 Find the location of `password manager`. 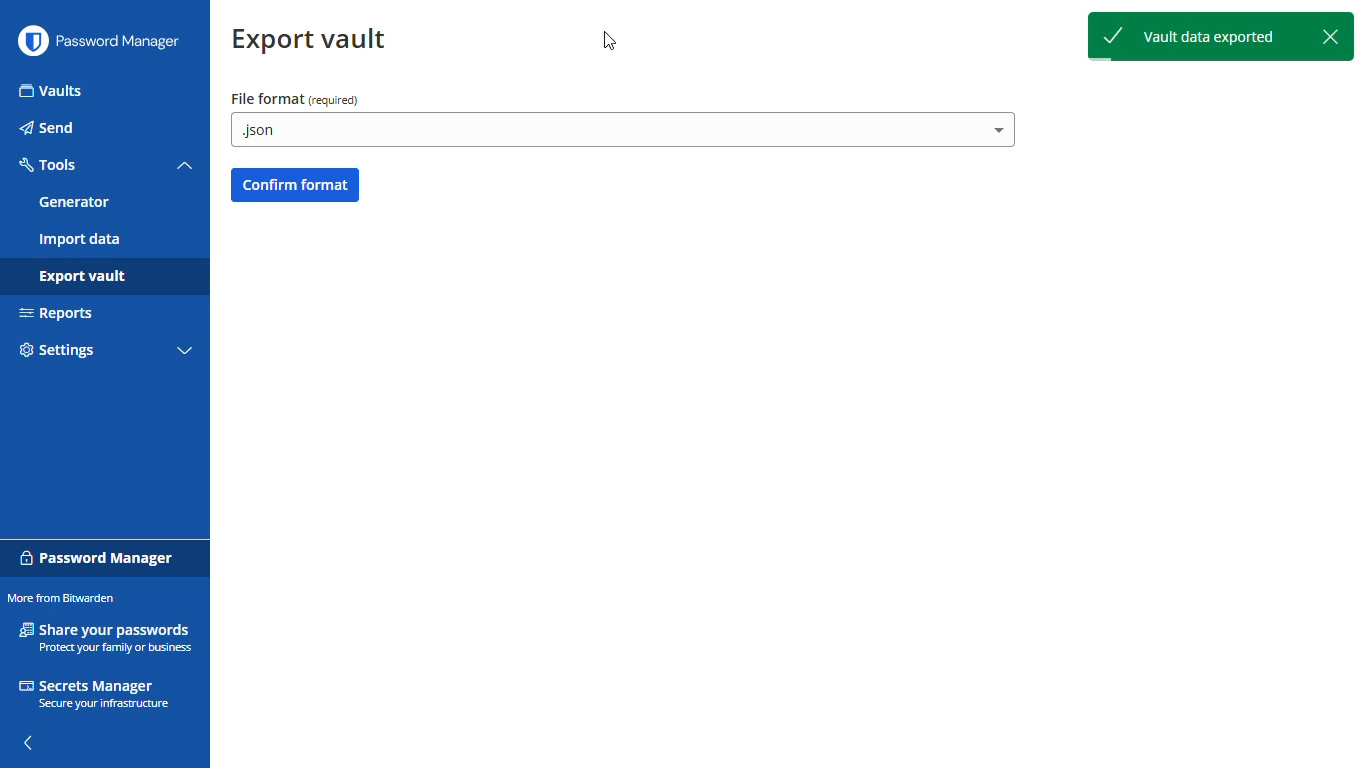

password manager is located at coordinates (123, 42).